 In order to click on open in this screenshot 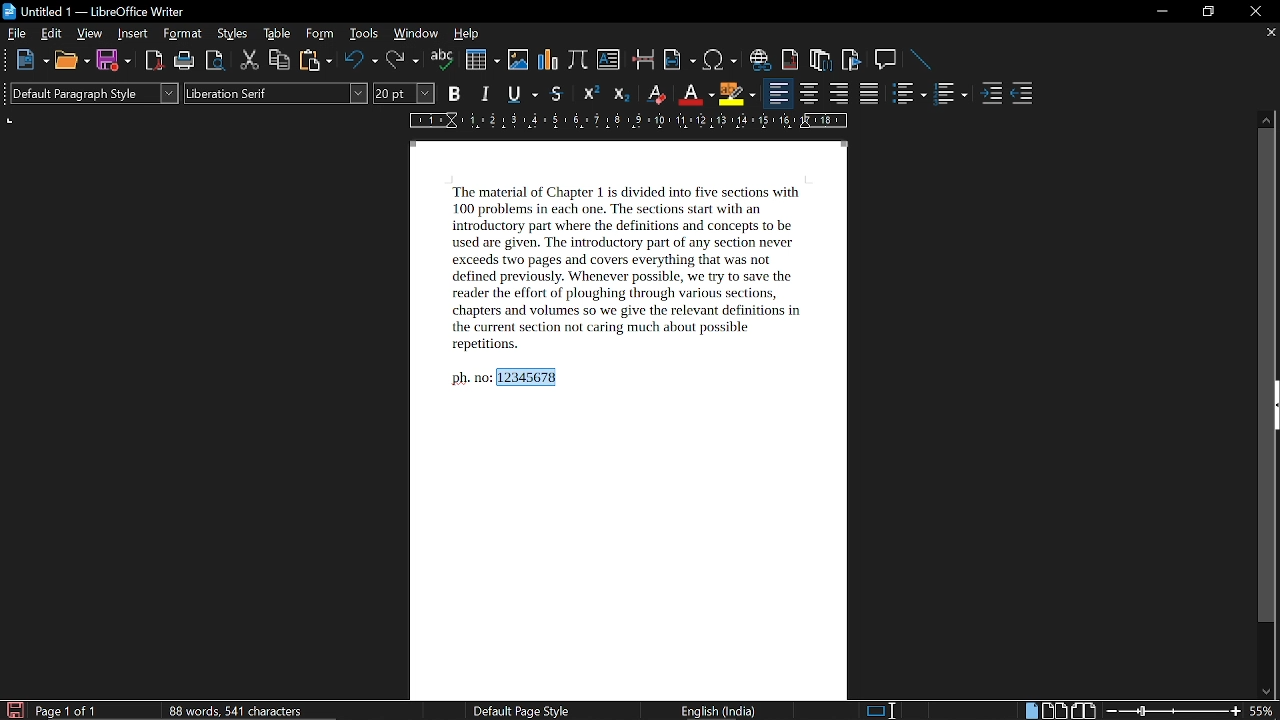, I will do `click(72, 60)`.